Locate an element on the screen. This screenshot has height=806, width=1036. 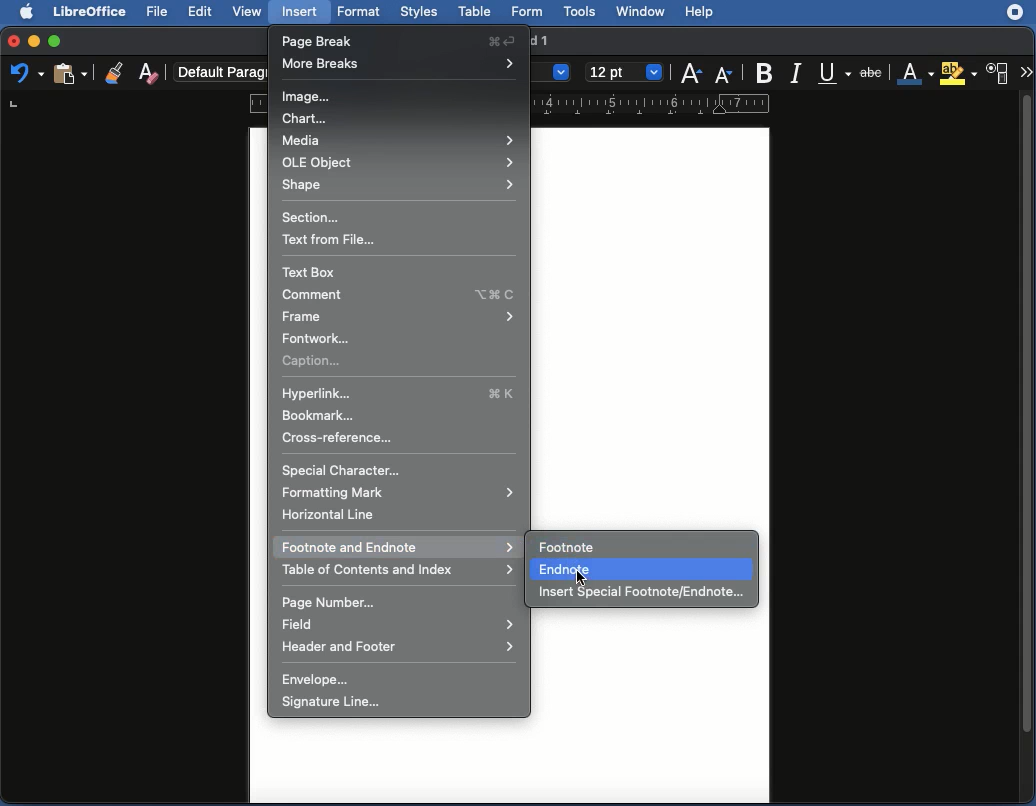
Special character is located at coordinates (346, 470).